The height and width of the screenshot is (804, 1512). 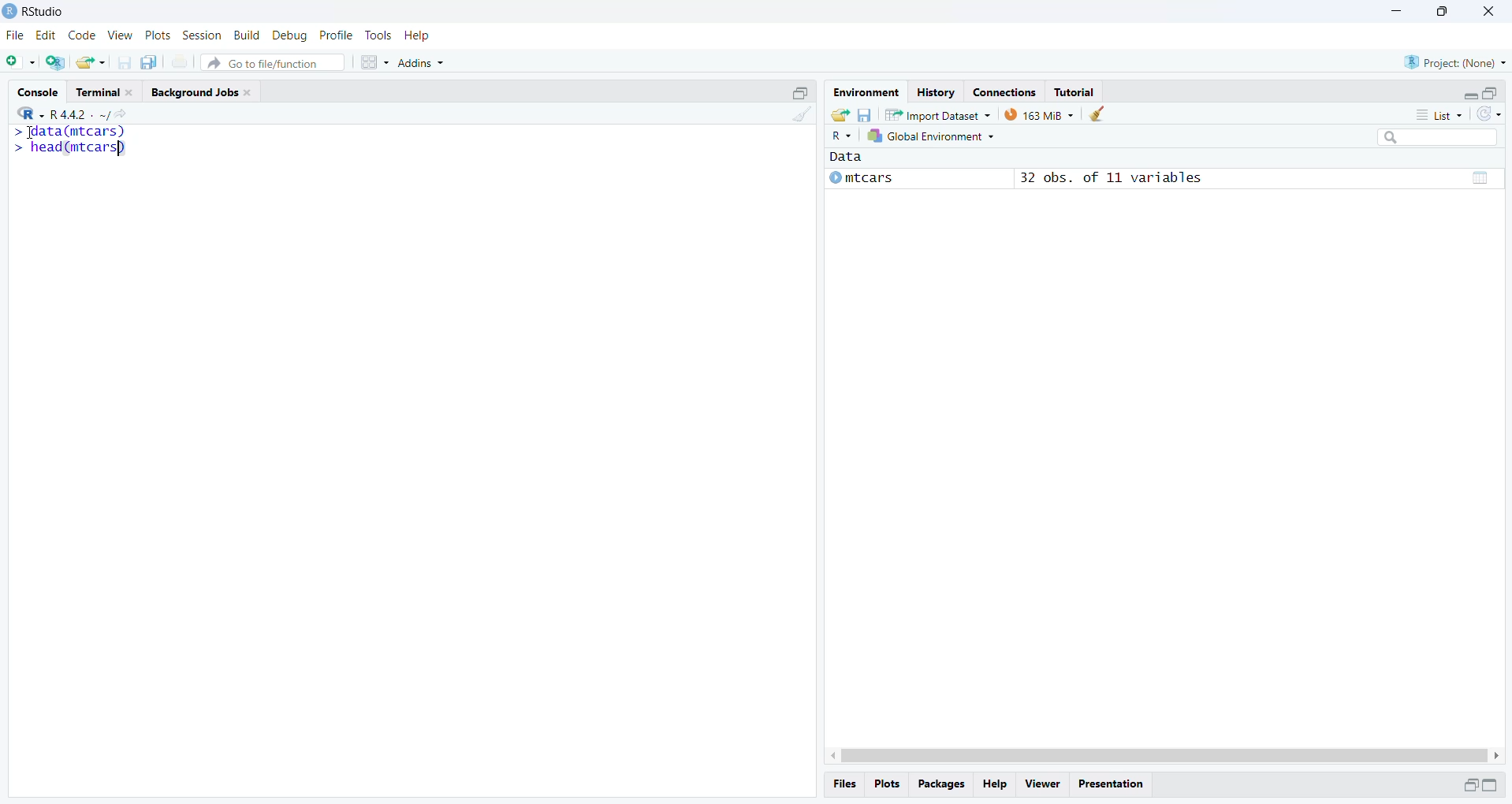 What do you see at coordinates (1045, 784) in the screenshot?
I see `viewer` at bounding box center [1045, 784].